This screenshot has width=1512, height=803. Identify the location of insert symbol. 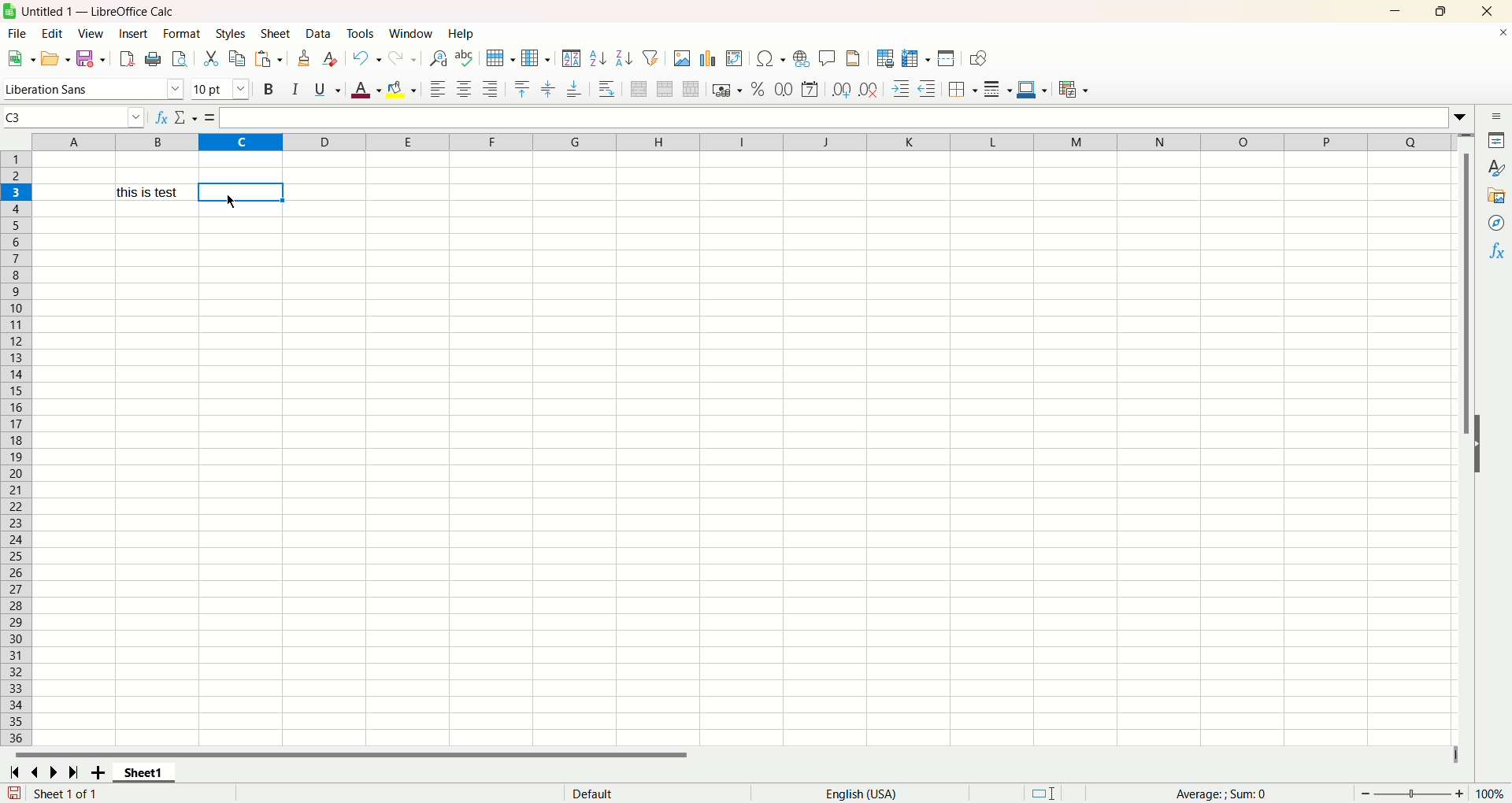
(769, 58).